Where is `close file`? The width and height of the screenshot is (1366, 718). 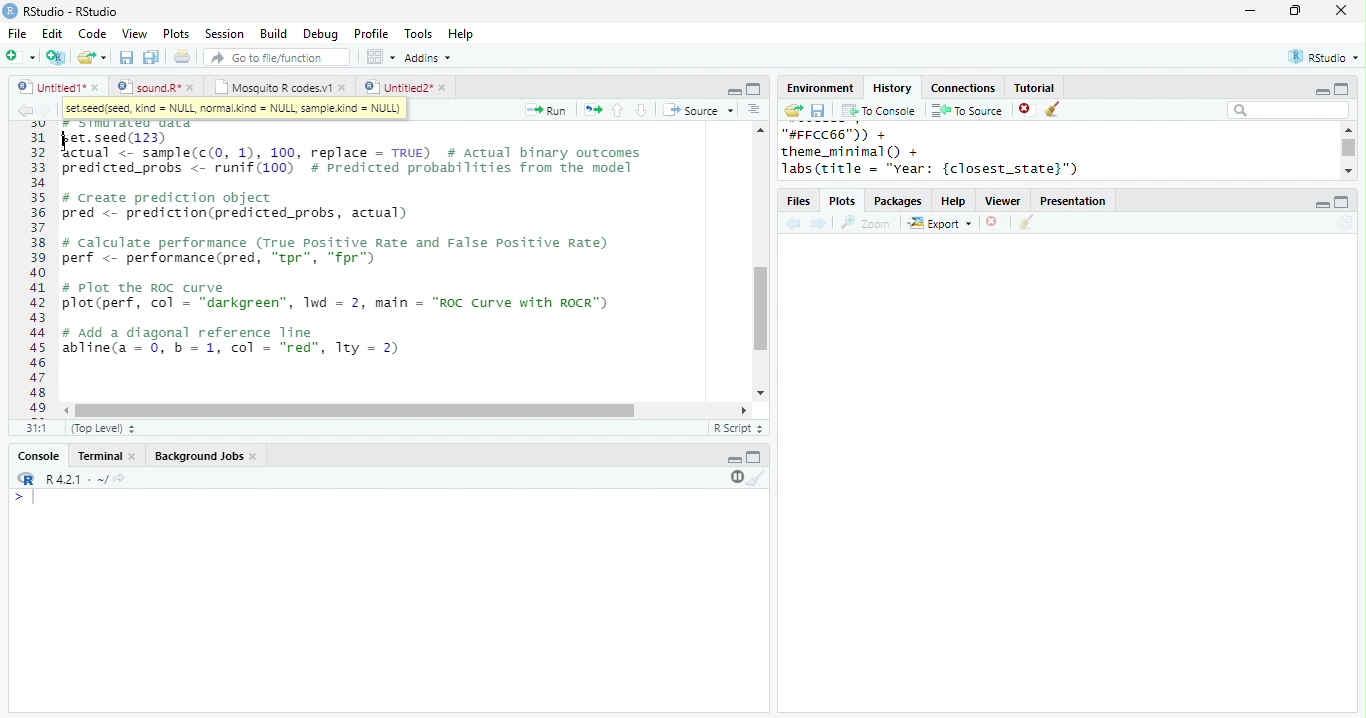
close file is located at coordinates (995, 223).